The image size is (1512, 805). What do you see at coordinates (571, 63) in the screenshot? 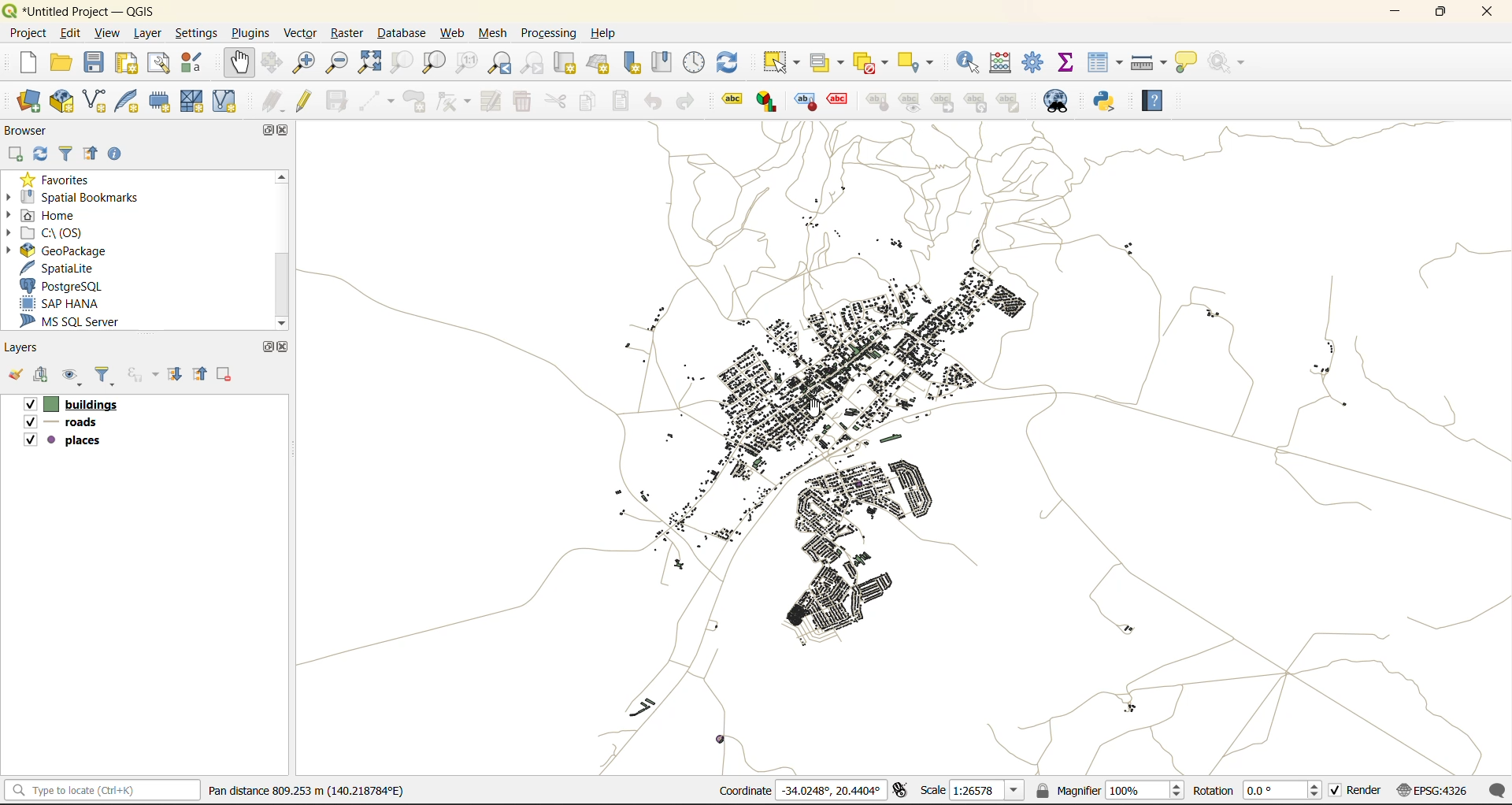
I see `new map view` at bounding box center [571, 63].